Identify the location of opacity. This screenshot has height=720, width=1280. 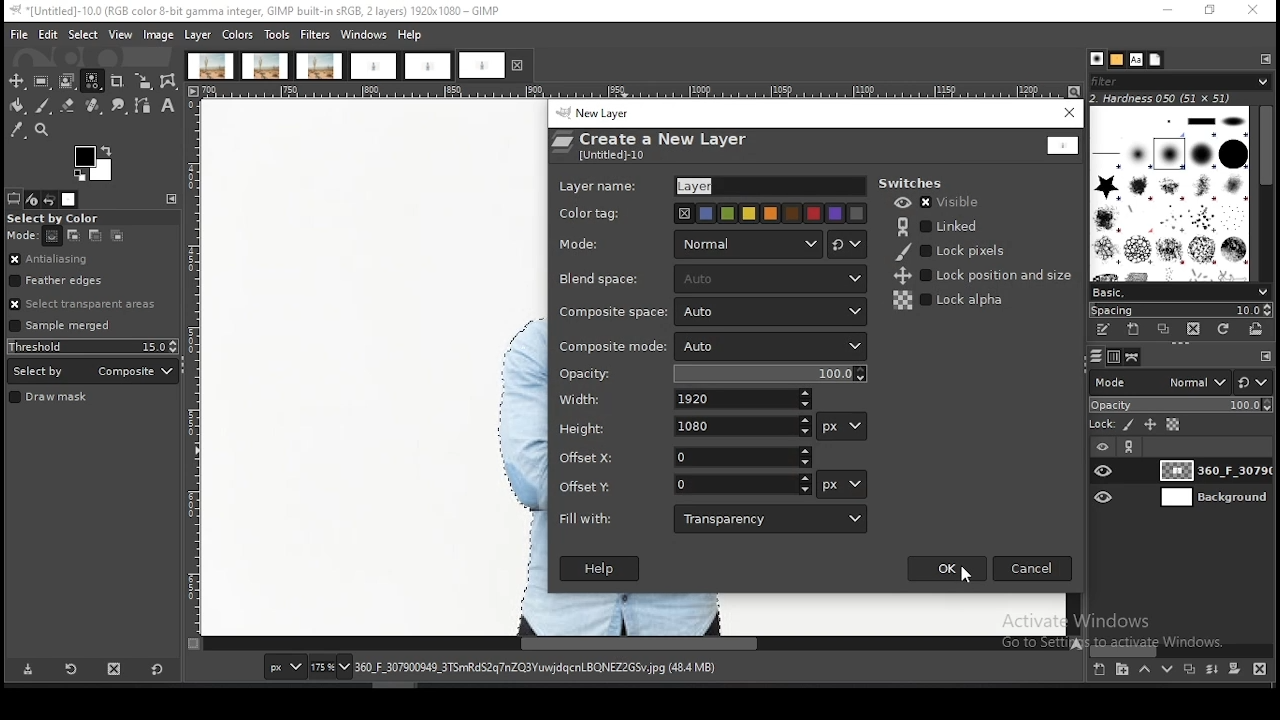
(771, 374).